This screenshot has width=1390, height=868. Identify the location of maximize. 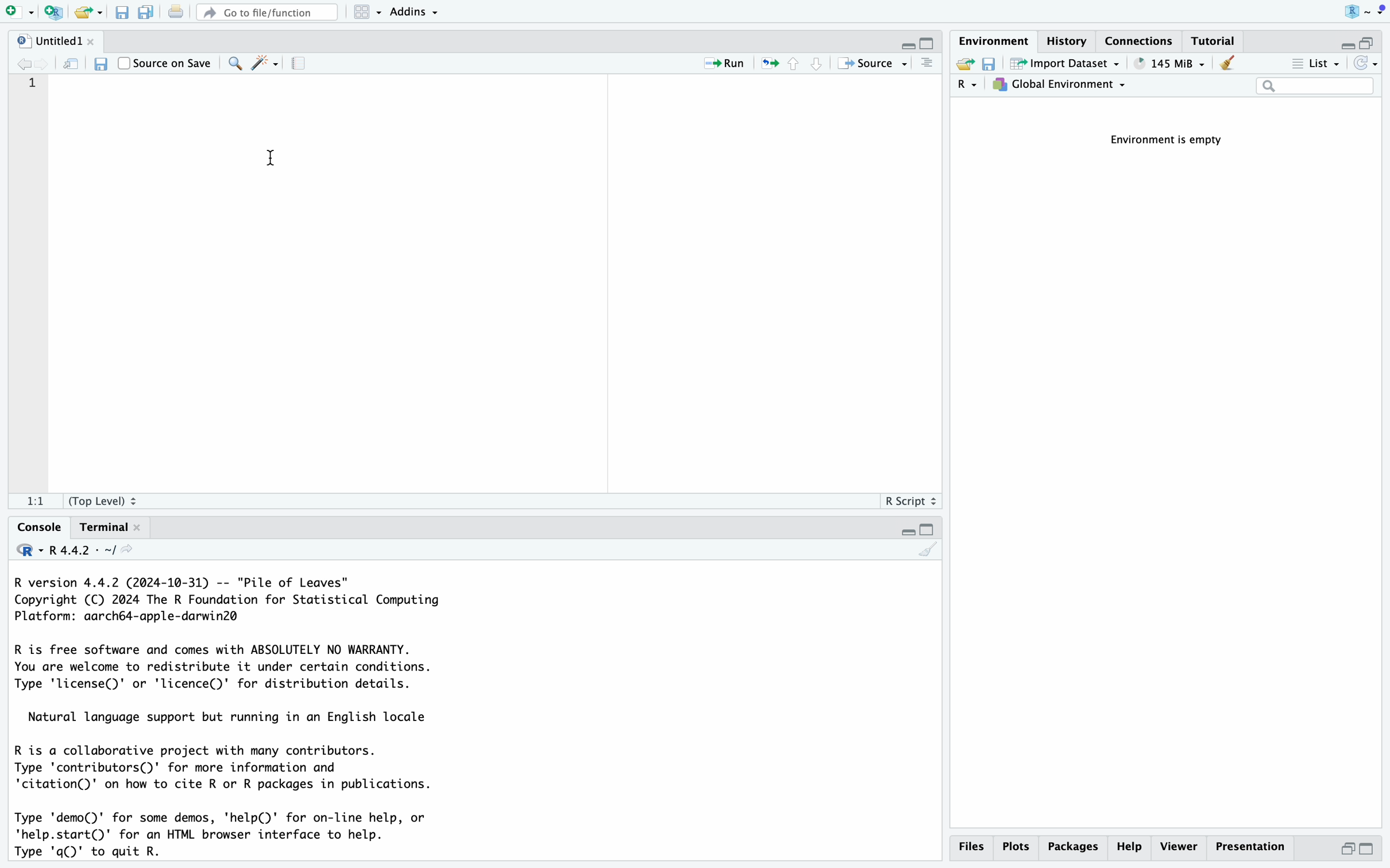
(928, 40).